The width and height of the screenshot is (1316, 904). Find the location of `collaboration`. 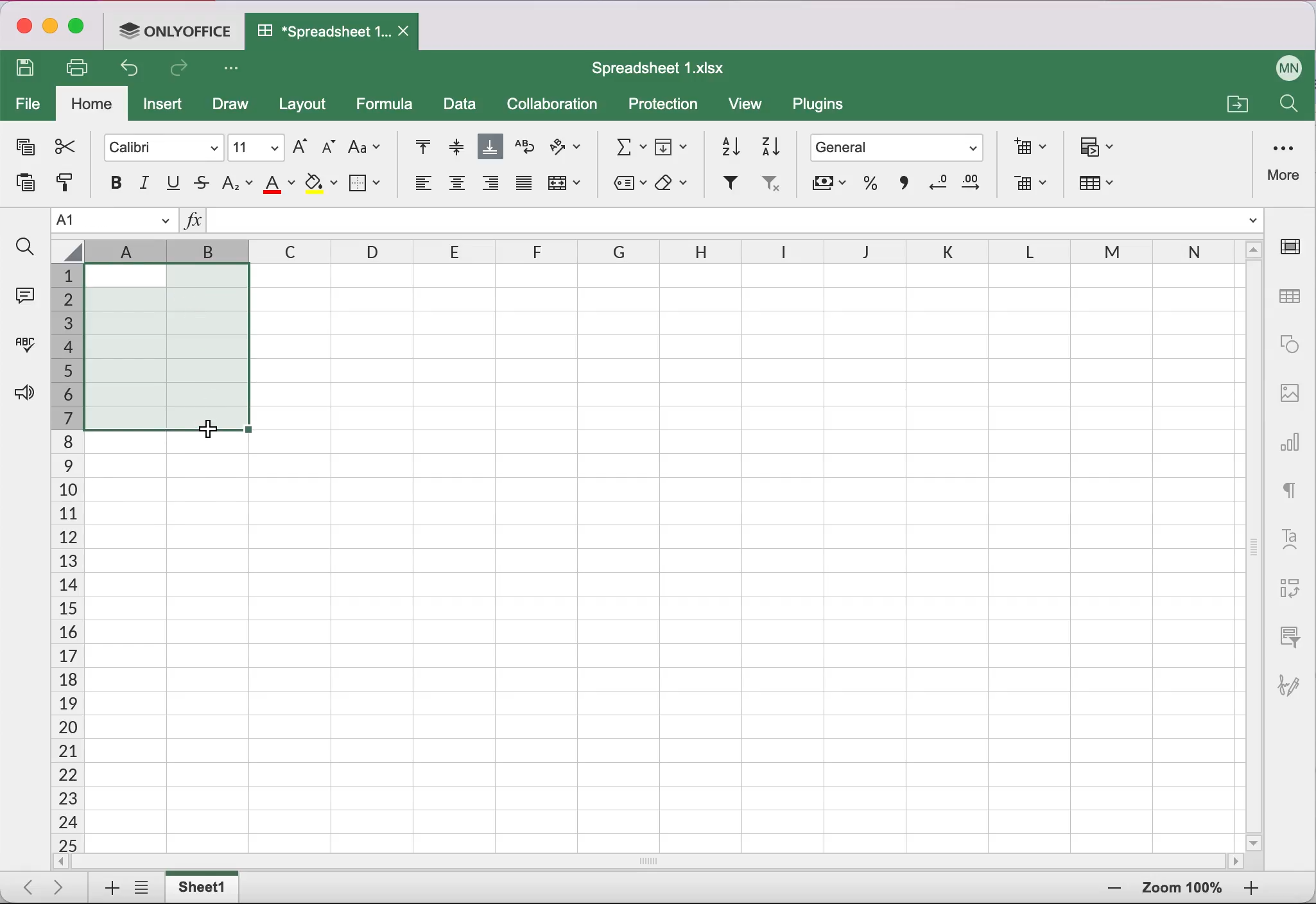

collaboration is located at coordinates (558, 105).